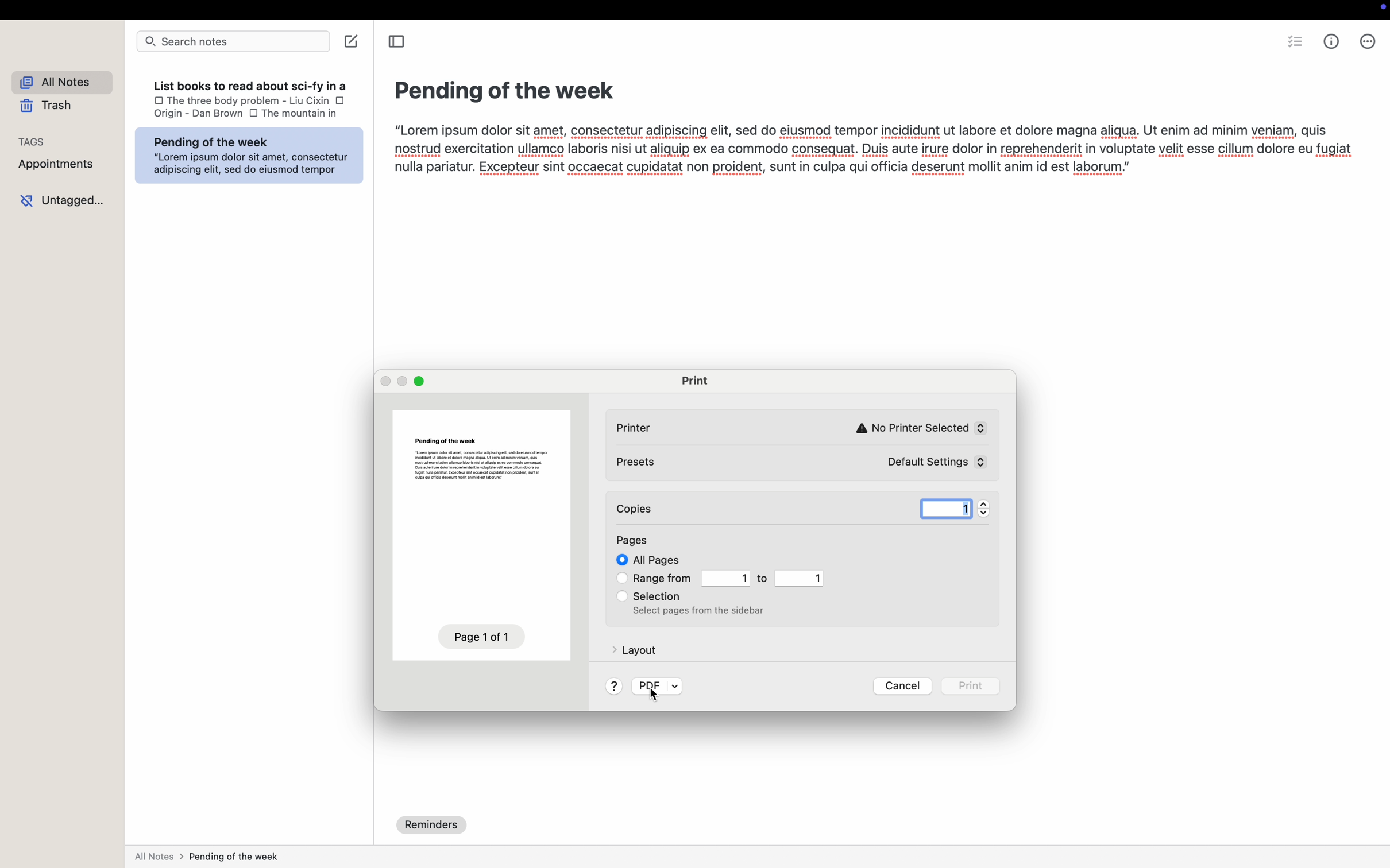 The height and width of the screenshot is (868, 1390). Describe the element at coordinates (406, 381) in the screenshot. I see `minimize popup` at that location.